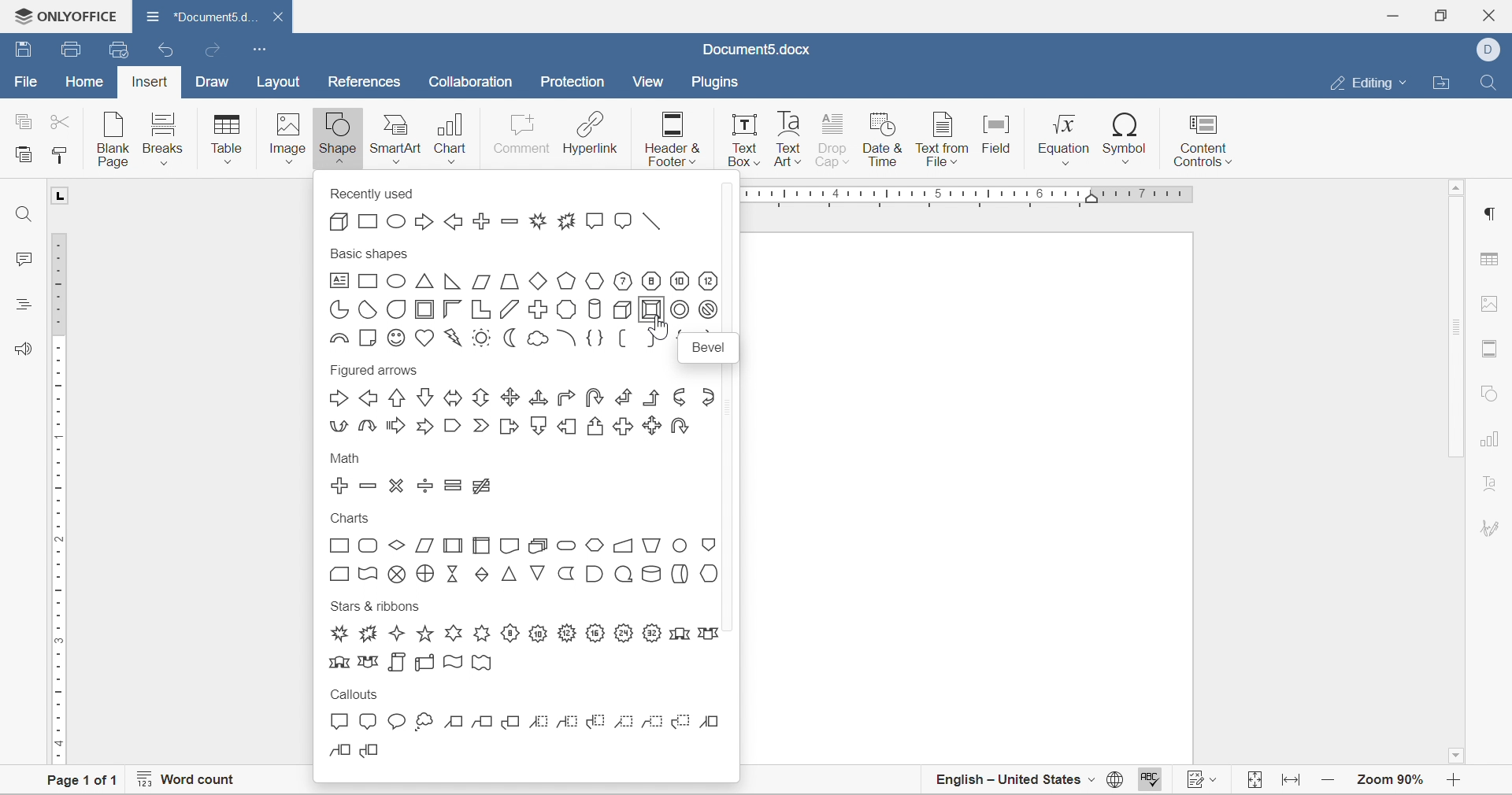 Image resolution: width=1512 pixels, height=795 pixels. What do you see at coordinates (24, 348) in the screenshot?
I see `feedback and support` at bounding box center [24, 348].